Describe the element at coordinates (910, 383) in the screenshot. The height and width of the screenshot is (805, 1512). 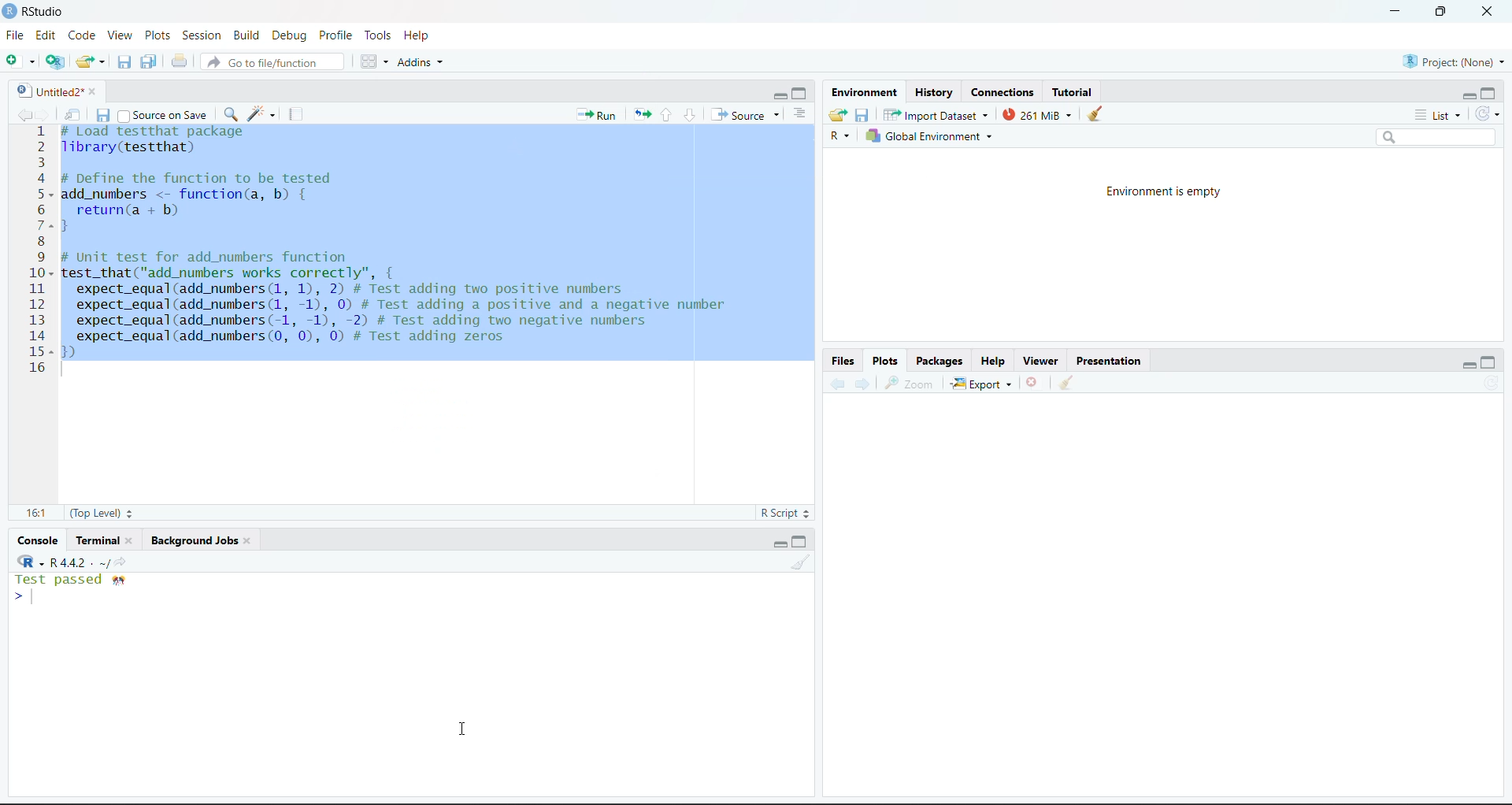
I see `Zoom` at that location.